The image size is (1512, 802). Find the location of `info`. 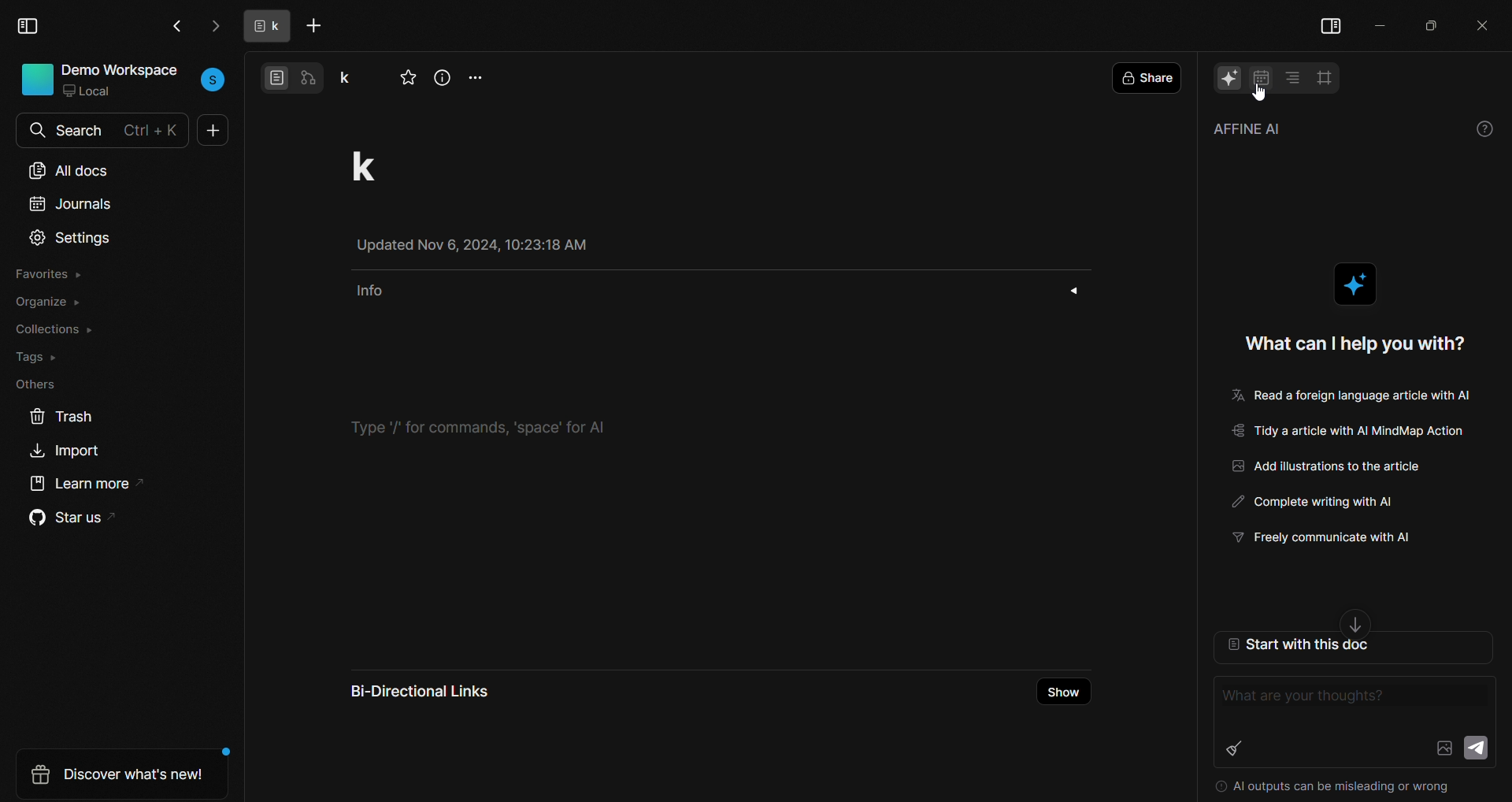

info is located at coordinates (714, 290).